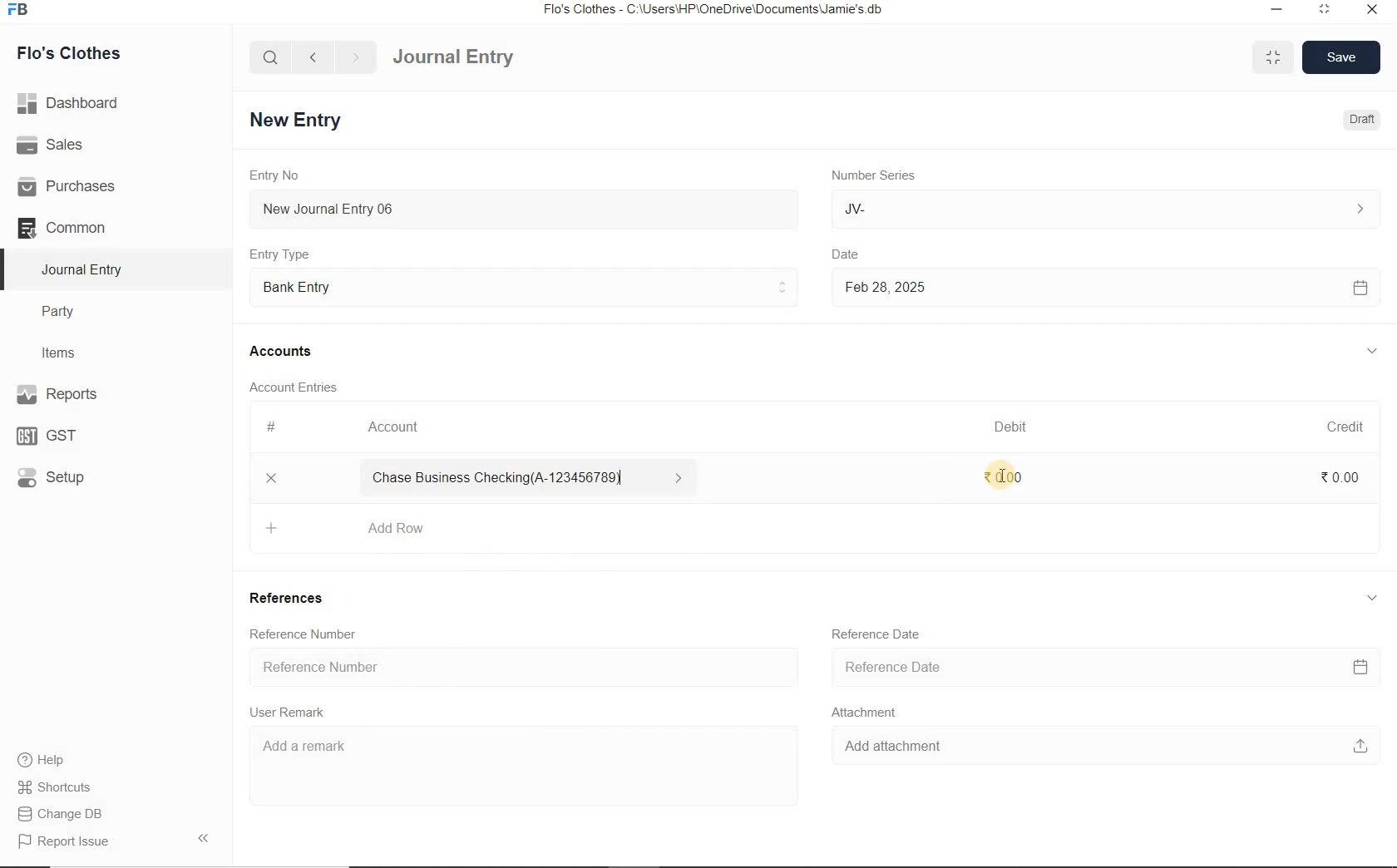  Describe the element at coordinates (284, 351) in the screenshot. I see `Accounts` at that location.